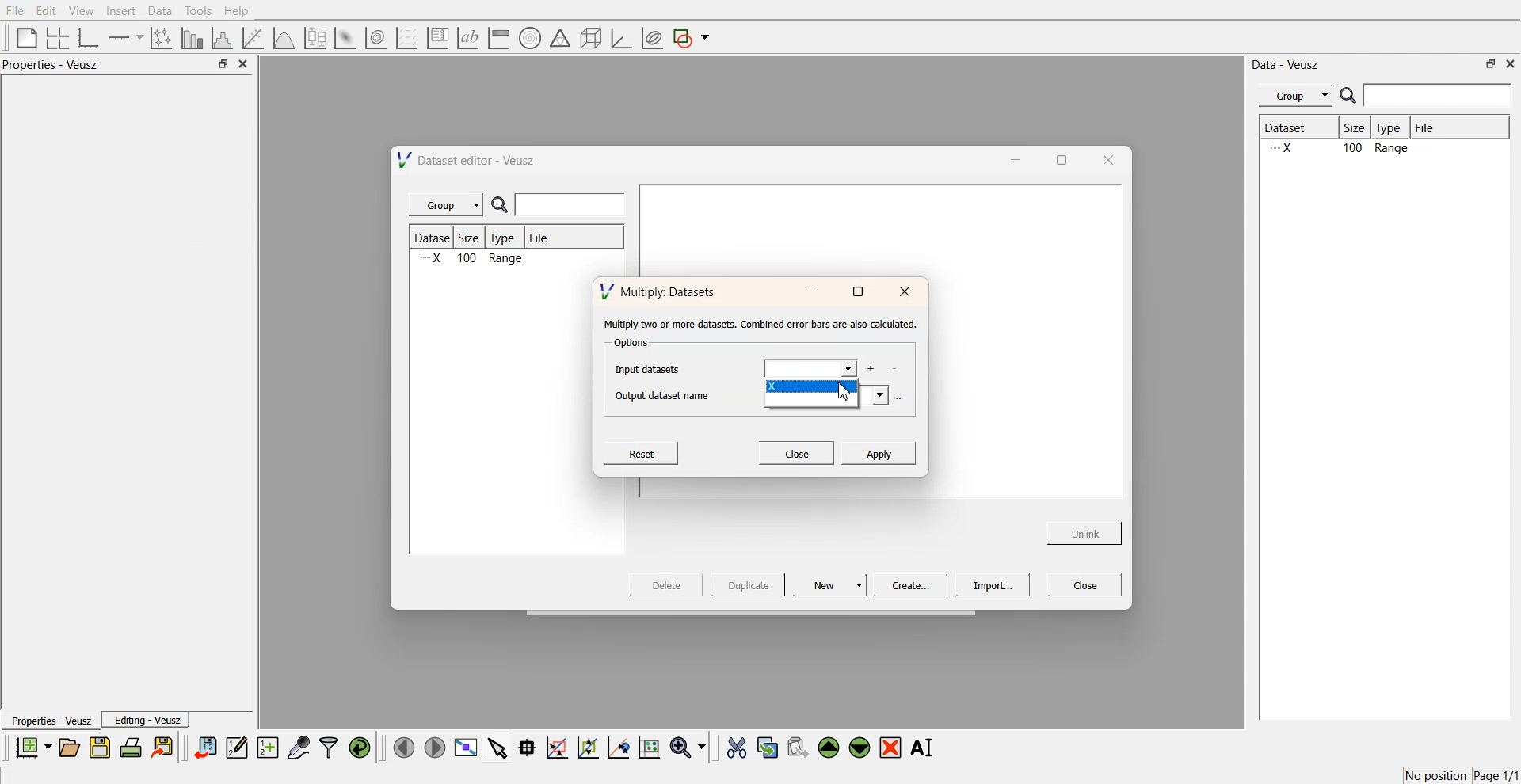 Image resolution: width=1521 pixels, height=784 pixels. What do you see at coordinates (629, 344) in the screenshot?
I see `Options` at bounding box center [629, 344].